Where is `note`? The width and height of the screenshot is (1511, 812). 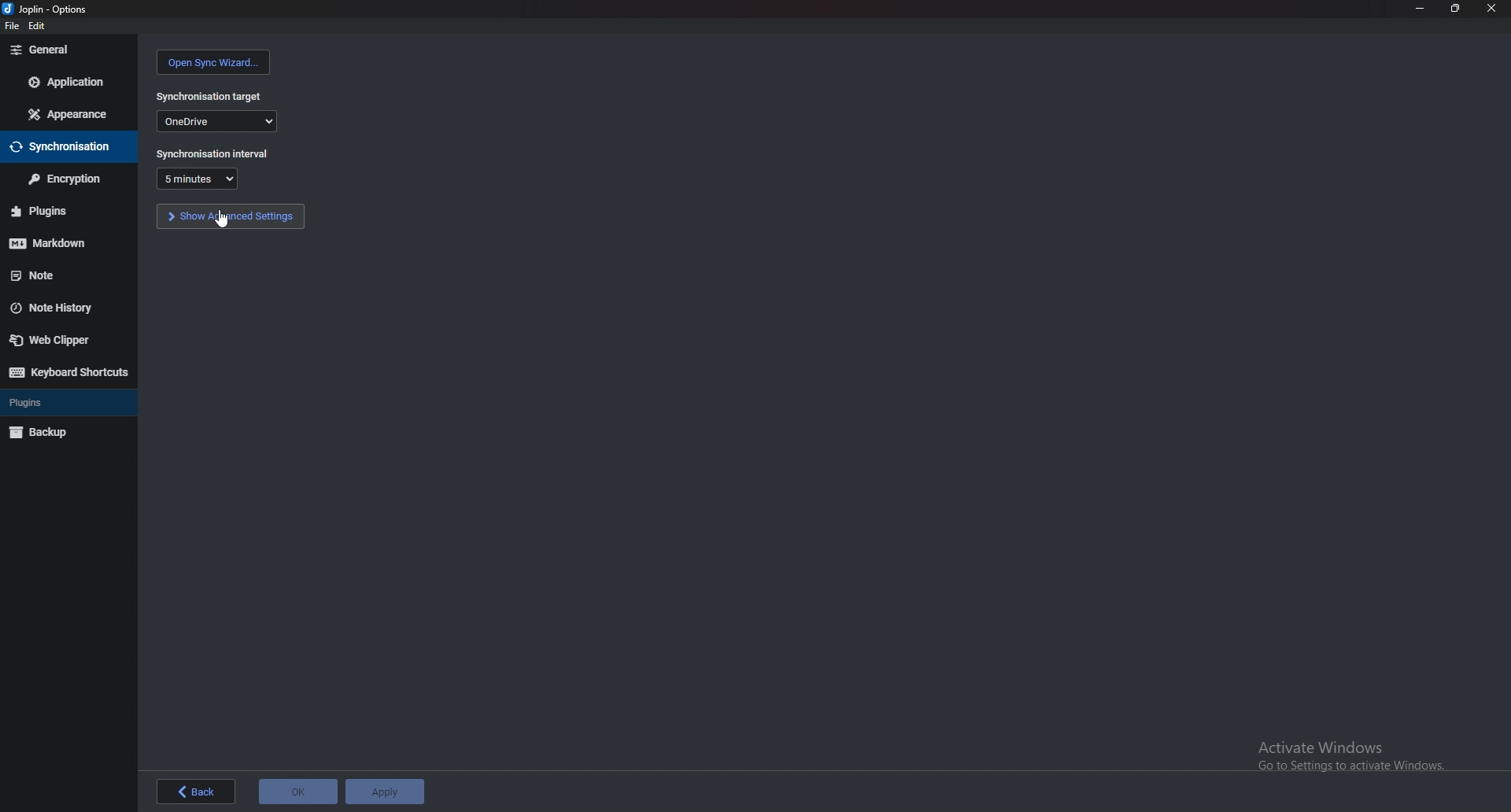
note is located at coordinates (62, 276).